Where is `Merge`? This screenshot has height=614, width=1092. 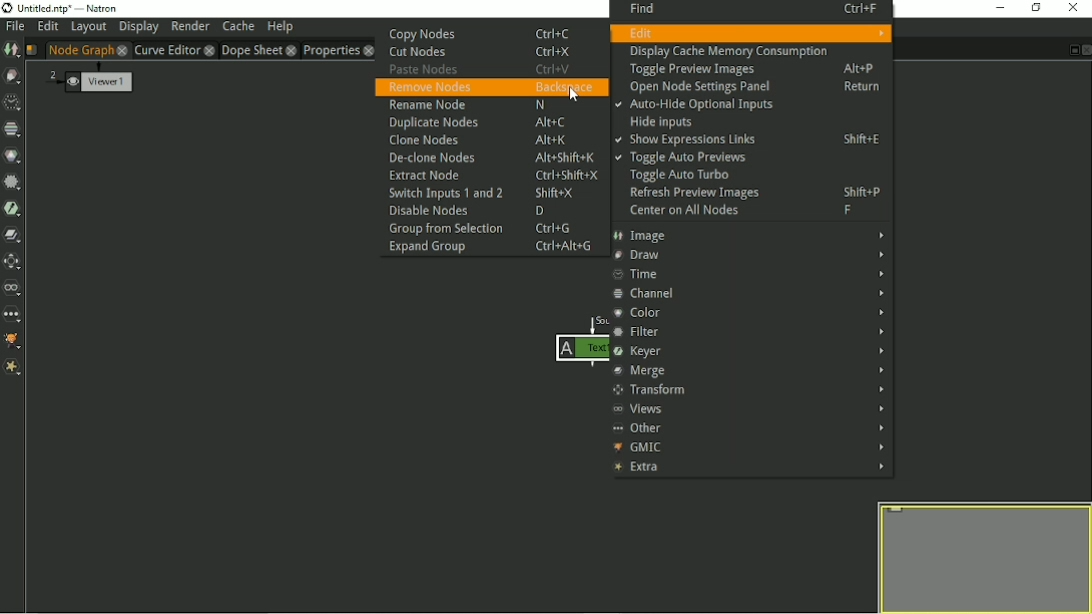
Merge is located at coordinates (751, 370).